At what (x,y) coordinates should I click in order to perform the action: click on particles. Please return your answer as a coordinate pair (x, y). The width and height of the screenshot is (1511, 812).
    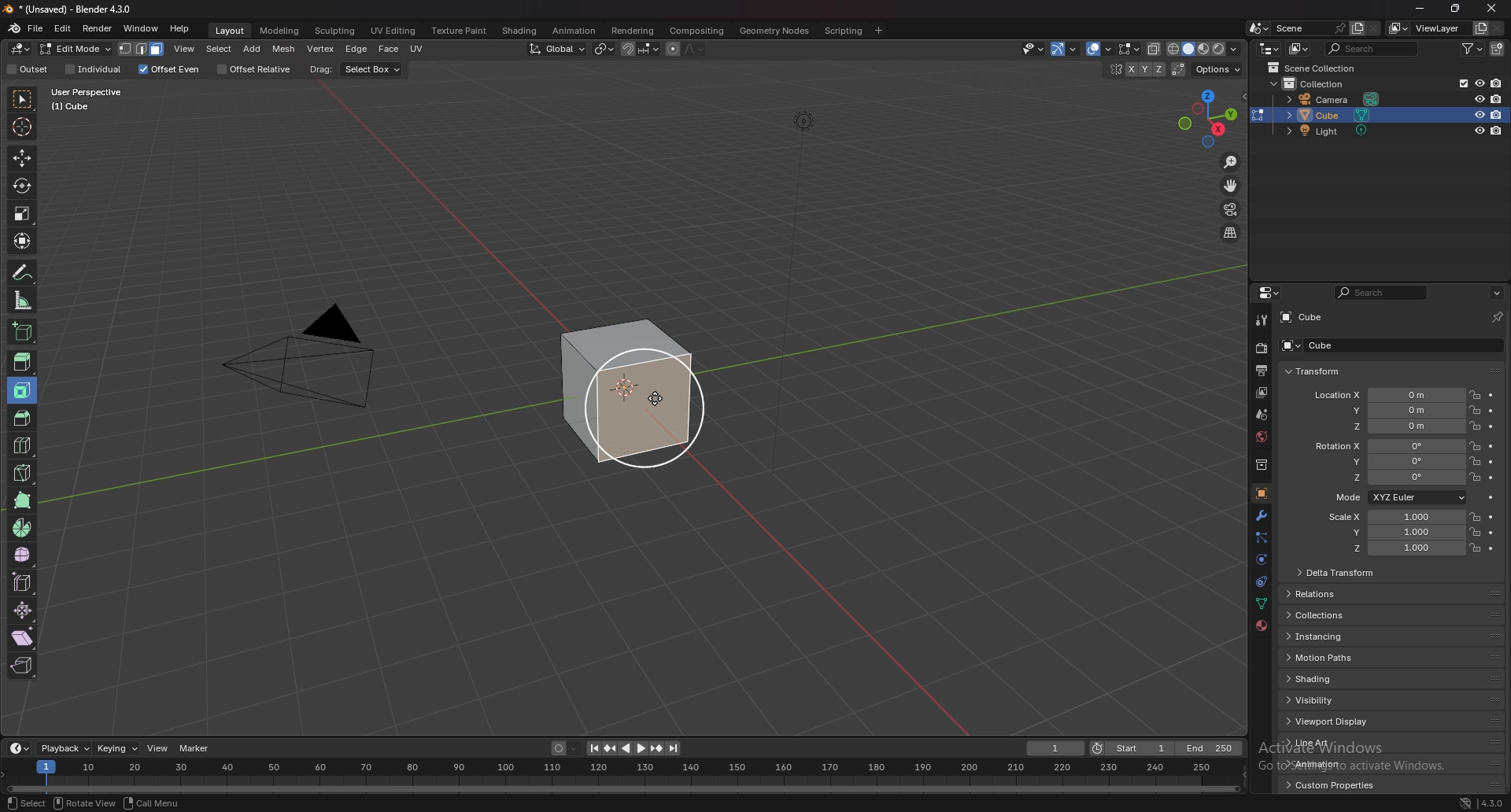
    Looking at the image, I should click on (1260, 539).